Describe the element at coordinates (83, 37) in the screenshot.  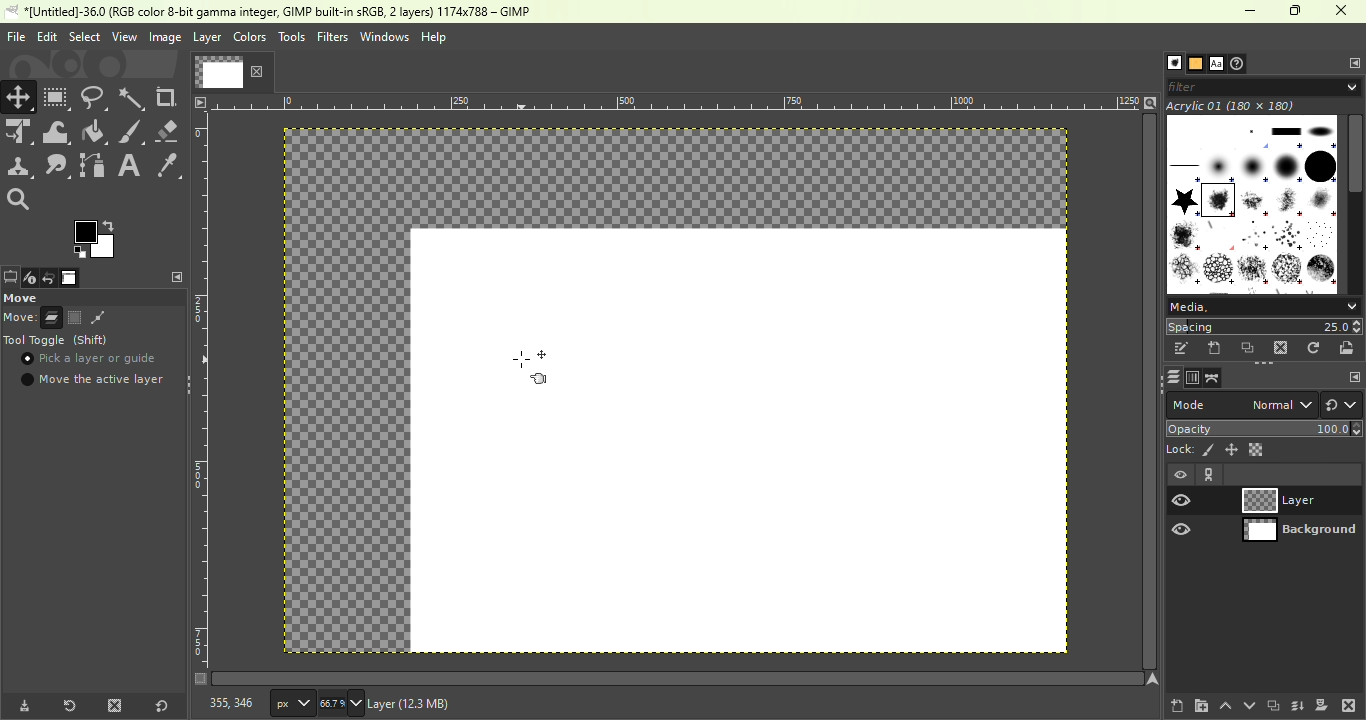
I see `` at that location.